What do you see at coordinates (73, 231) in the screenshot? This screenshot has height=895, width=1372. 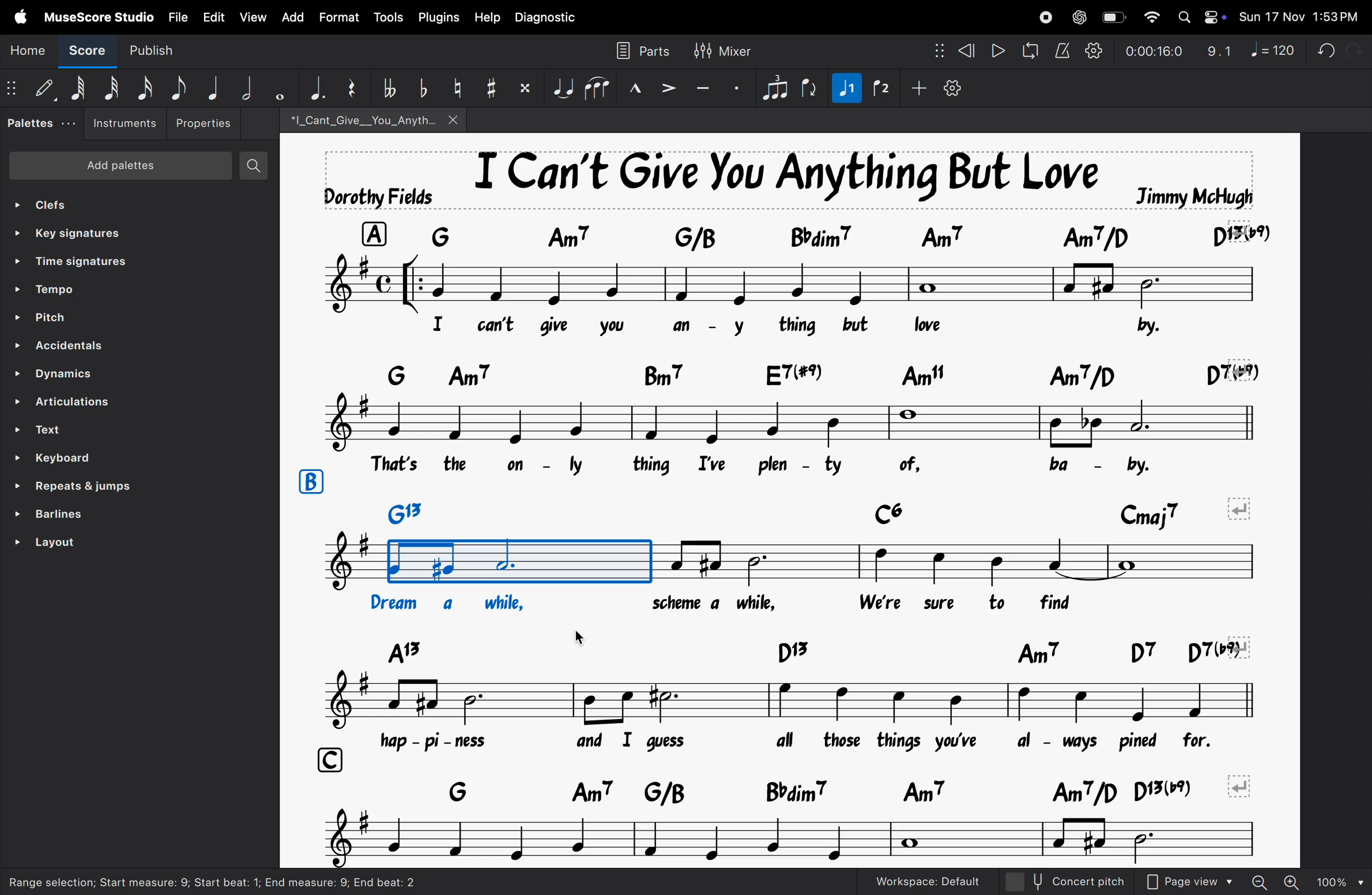 I see `key signatures` at bounding box center [73, 231].